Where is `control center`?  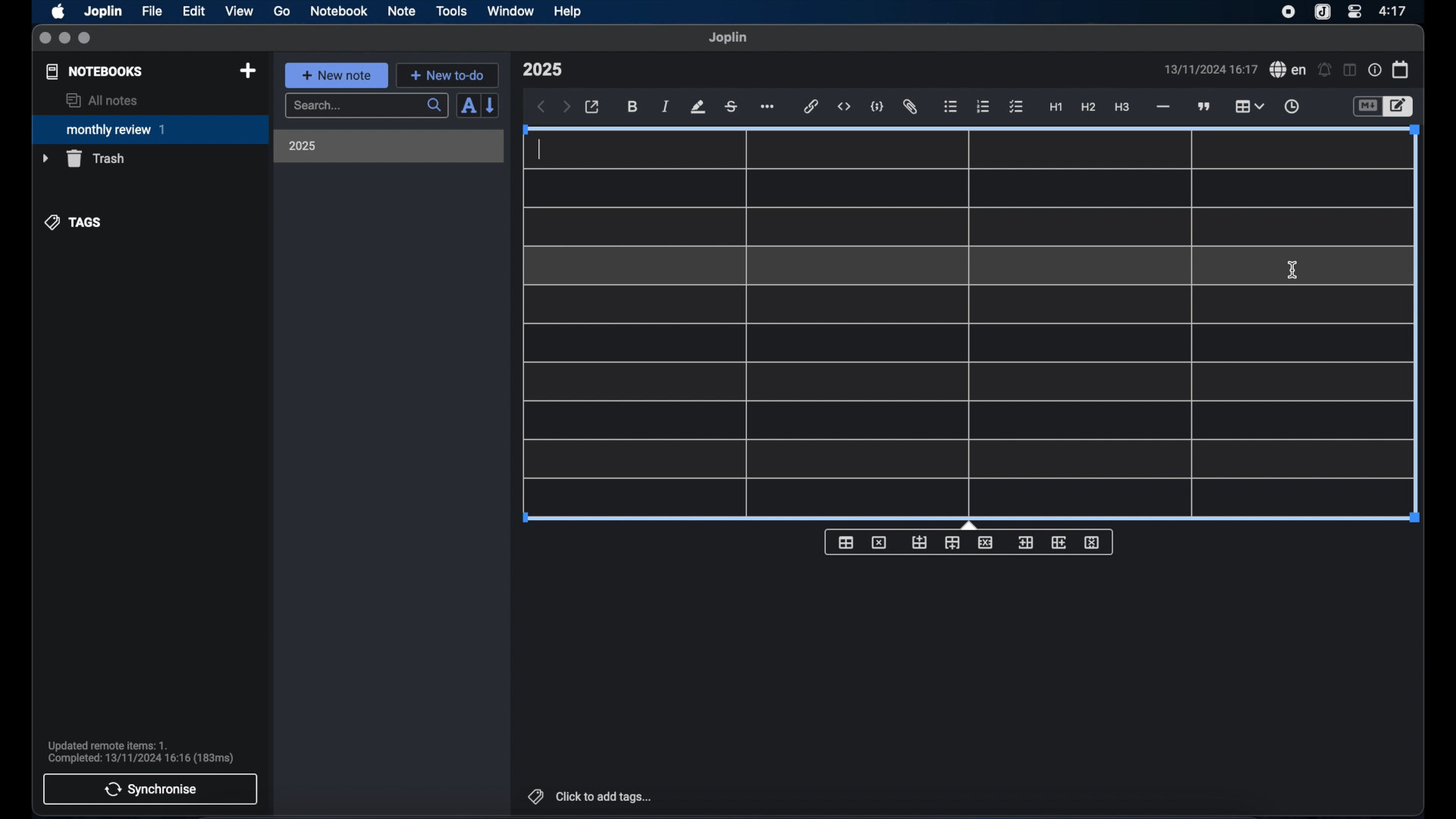
control center is located at coordinates (1354, 11).